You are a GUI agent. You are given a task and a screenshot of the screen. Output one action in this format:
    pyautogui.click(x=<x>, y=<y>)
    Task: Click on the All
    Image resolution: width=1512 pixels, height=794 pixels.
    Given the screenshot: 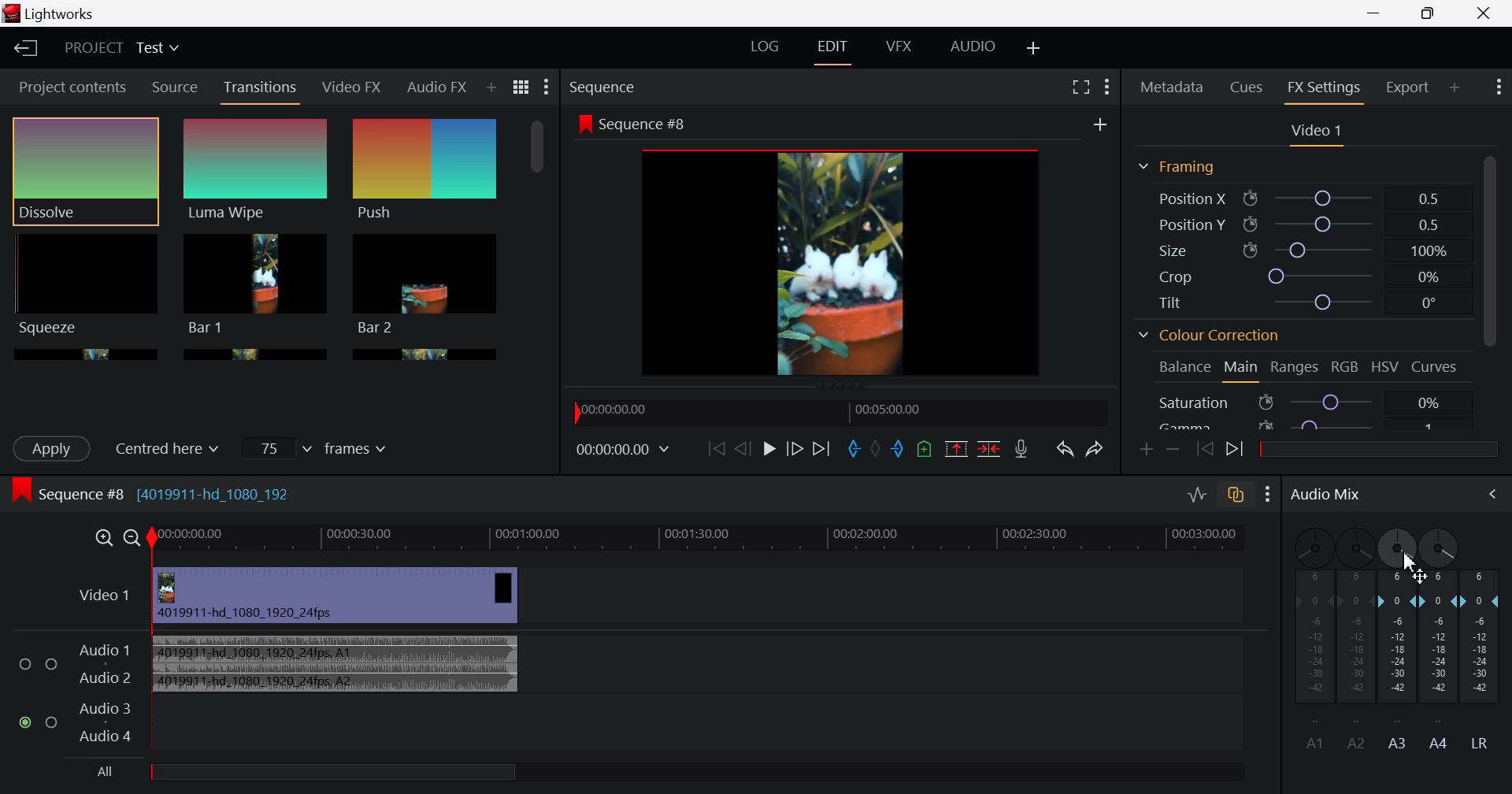 What is the action you would take?
    pyautogui.click(x=333, y=773)
    